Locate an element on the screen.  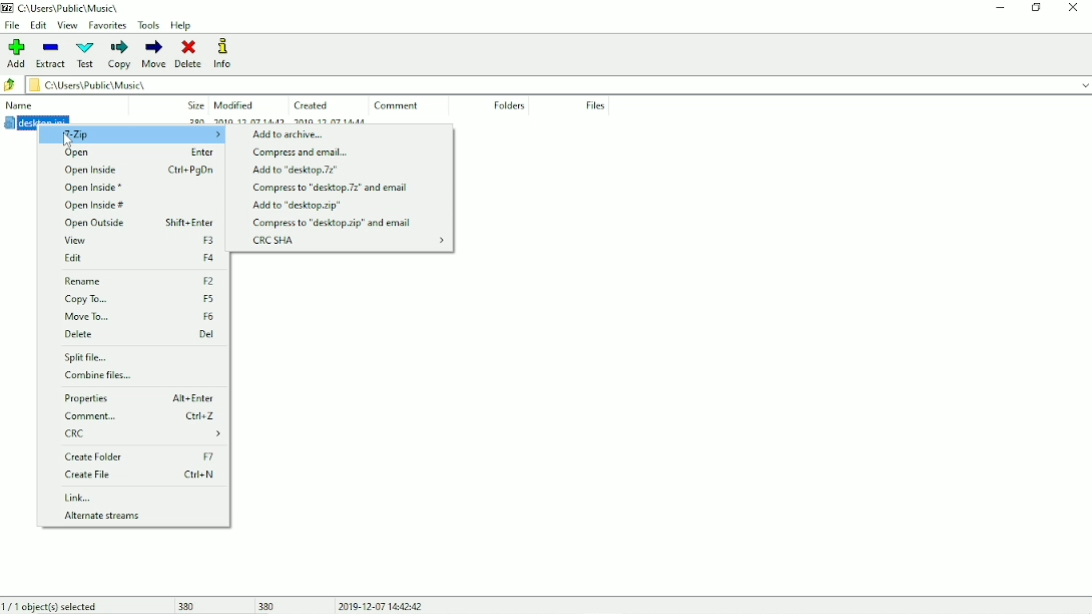
7 zip logo is located at coordinates (9, 8).